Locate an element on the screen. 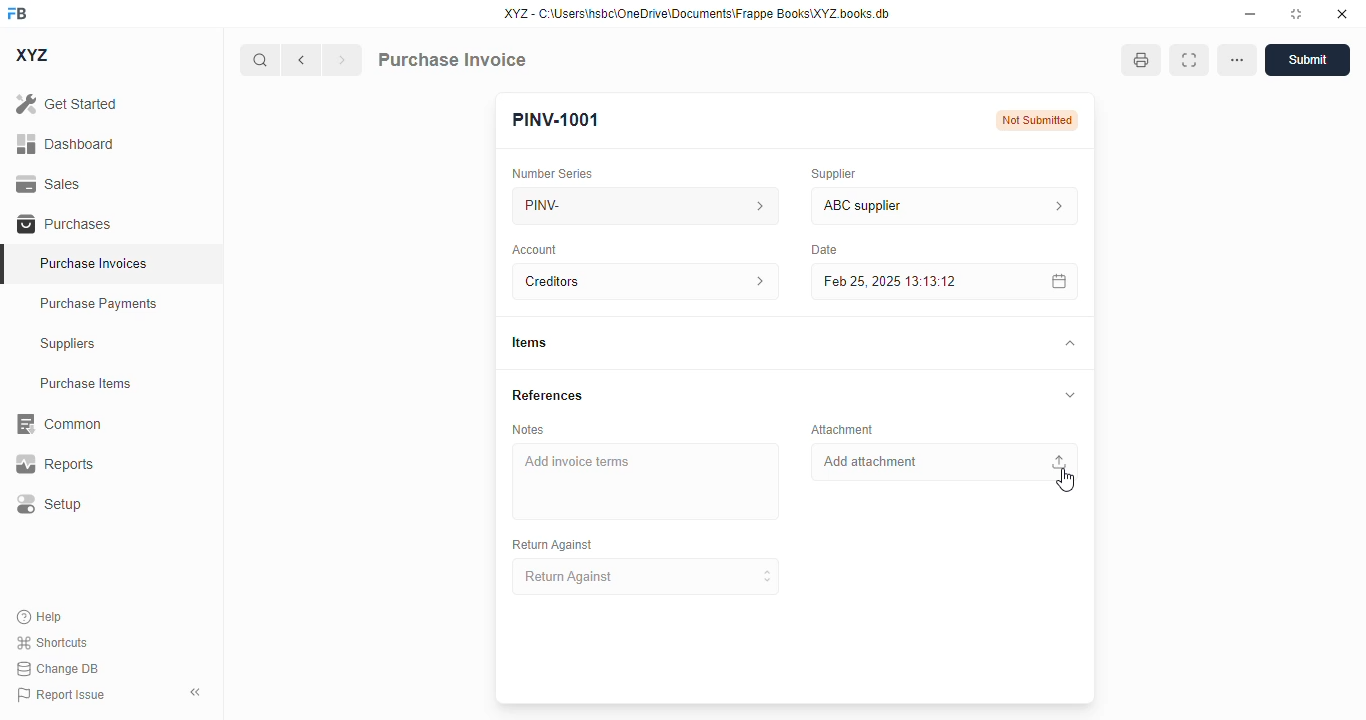 This screenshot has width=1366, height=720. toggle expand/collapse is located at coordinates (1070, 395).